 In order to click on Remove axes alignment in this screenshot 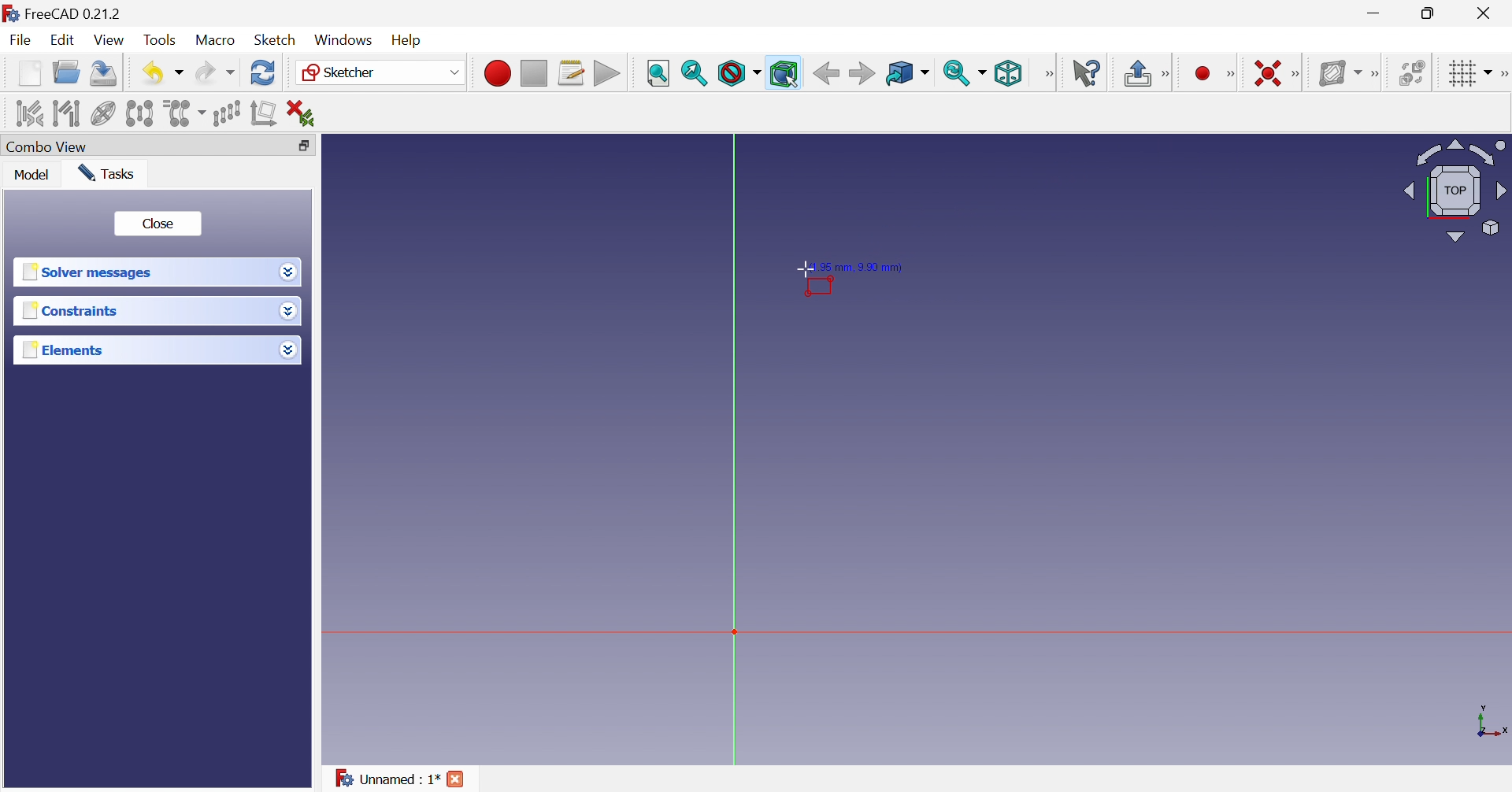, I will do `click(264, 115)`.